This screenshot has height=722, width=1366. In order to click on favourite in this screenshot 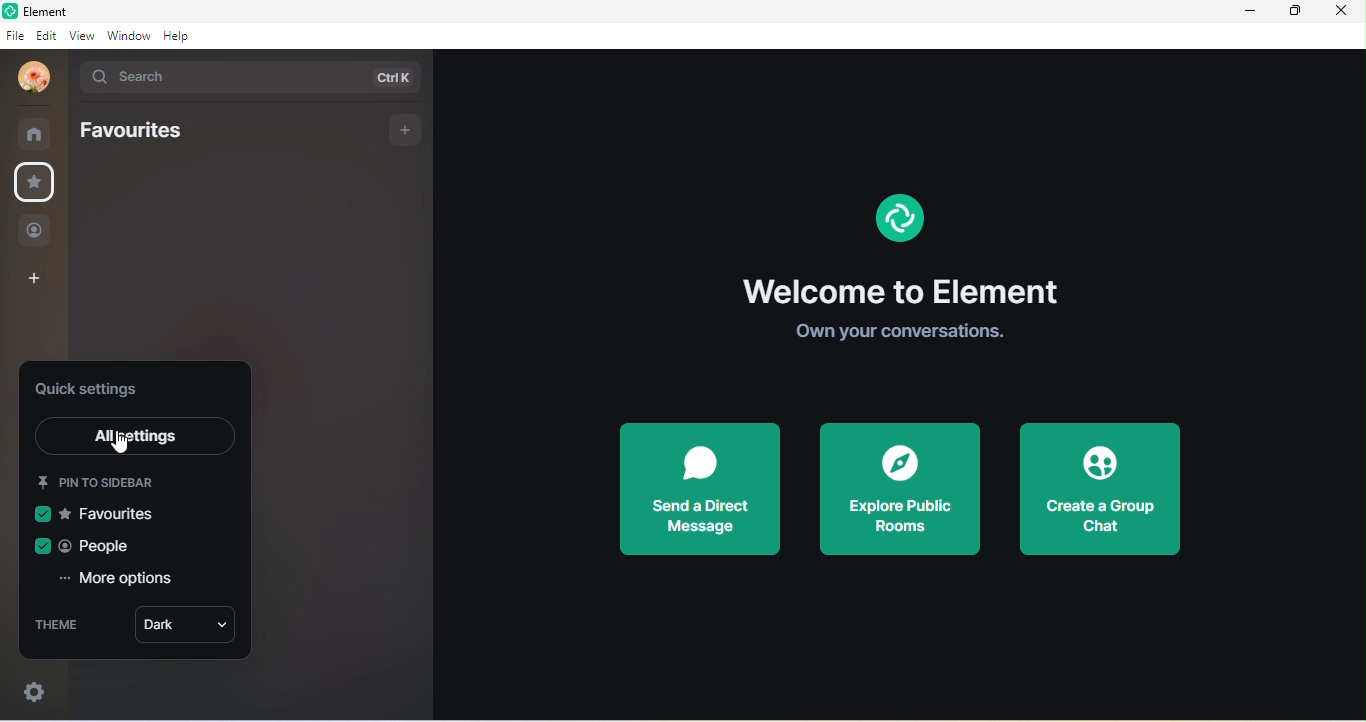, I will do `click(36, 183)`.